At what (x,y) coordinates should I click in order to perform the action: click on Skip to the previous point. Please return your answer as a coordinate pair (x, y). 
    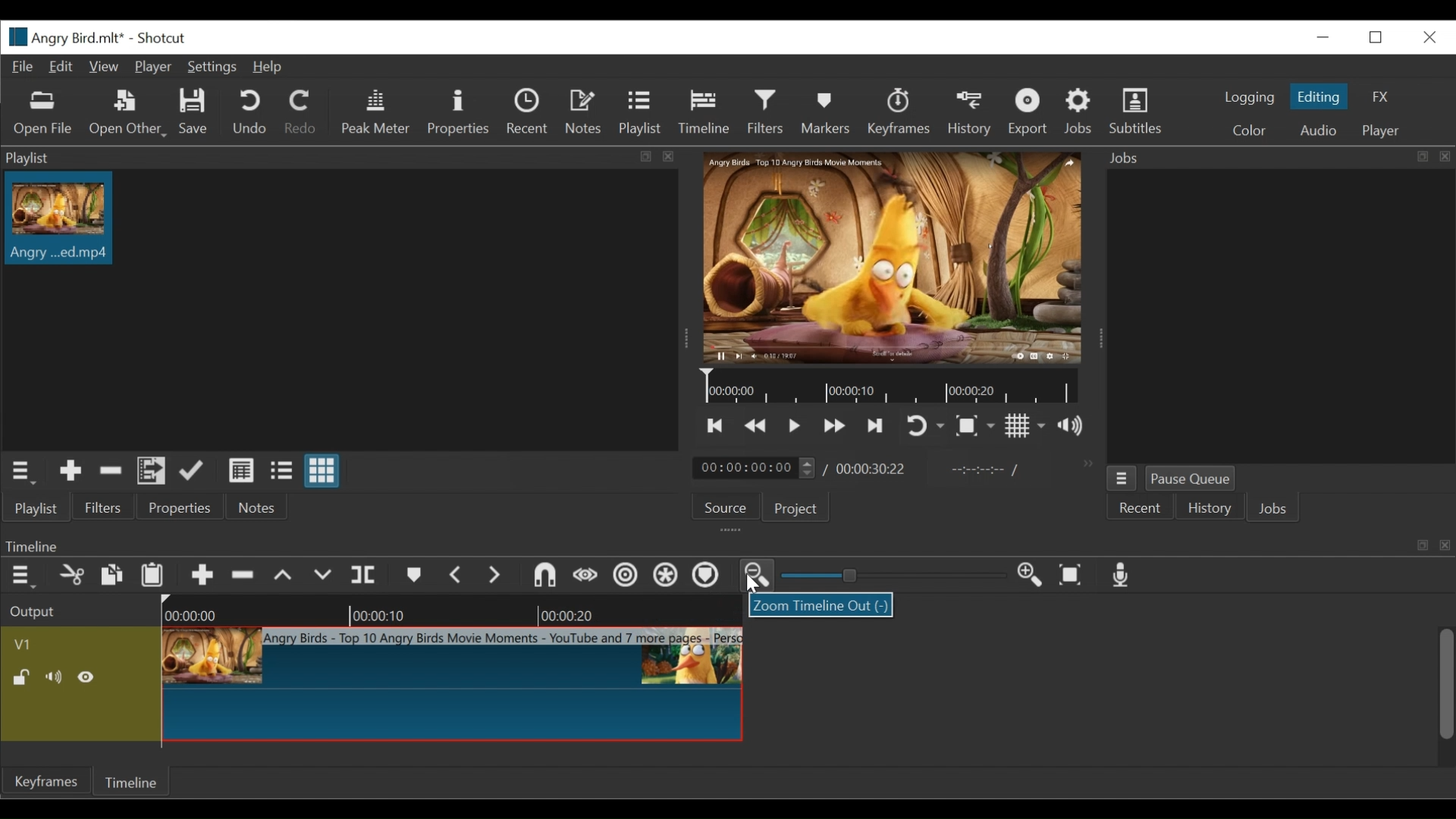
    Looking at the image, I should click on (715, 425).